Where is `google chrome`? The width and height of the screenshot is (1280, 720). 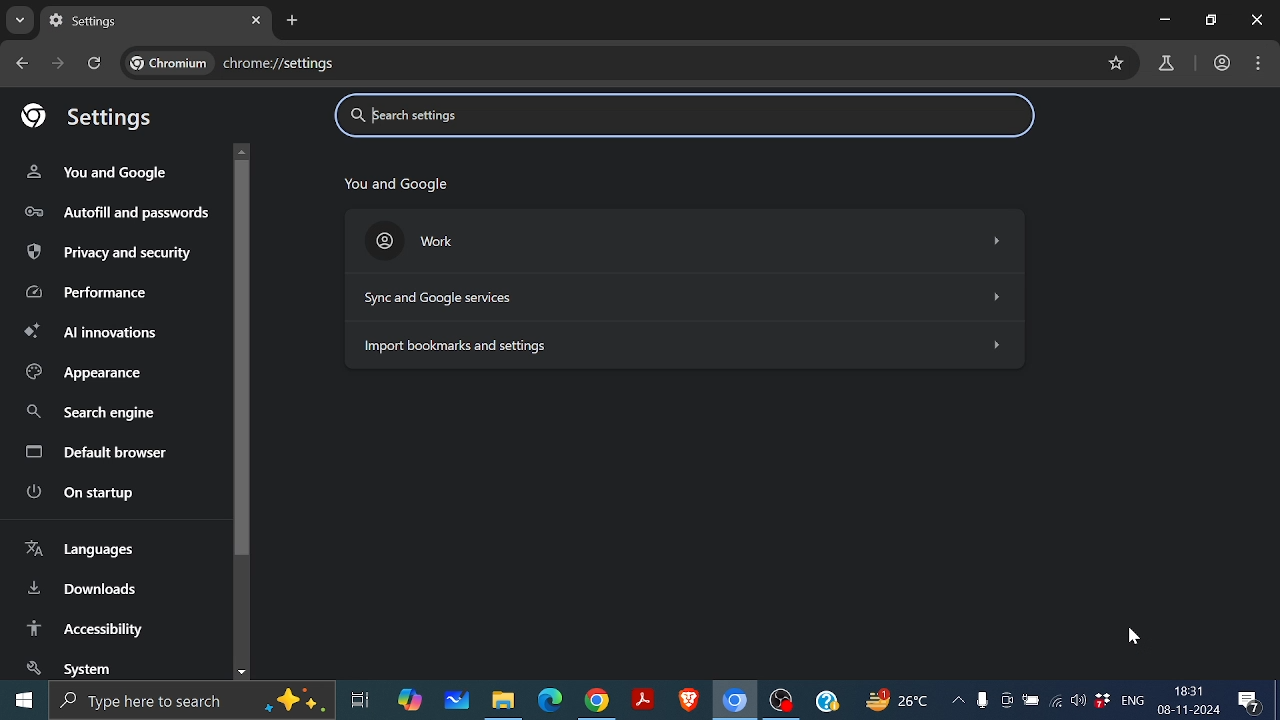 google chrome is located at coordinates (596, 701).